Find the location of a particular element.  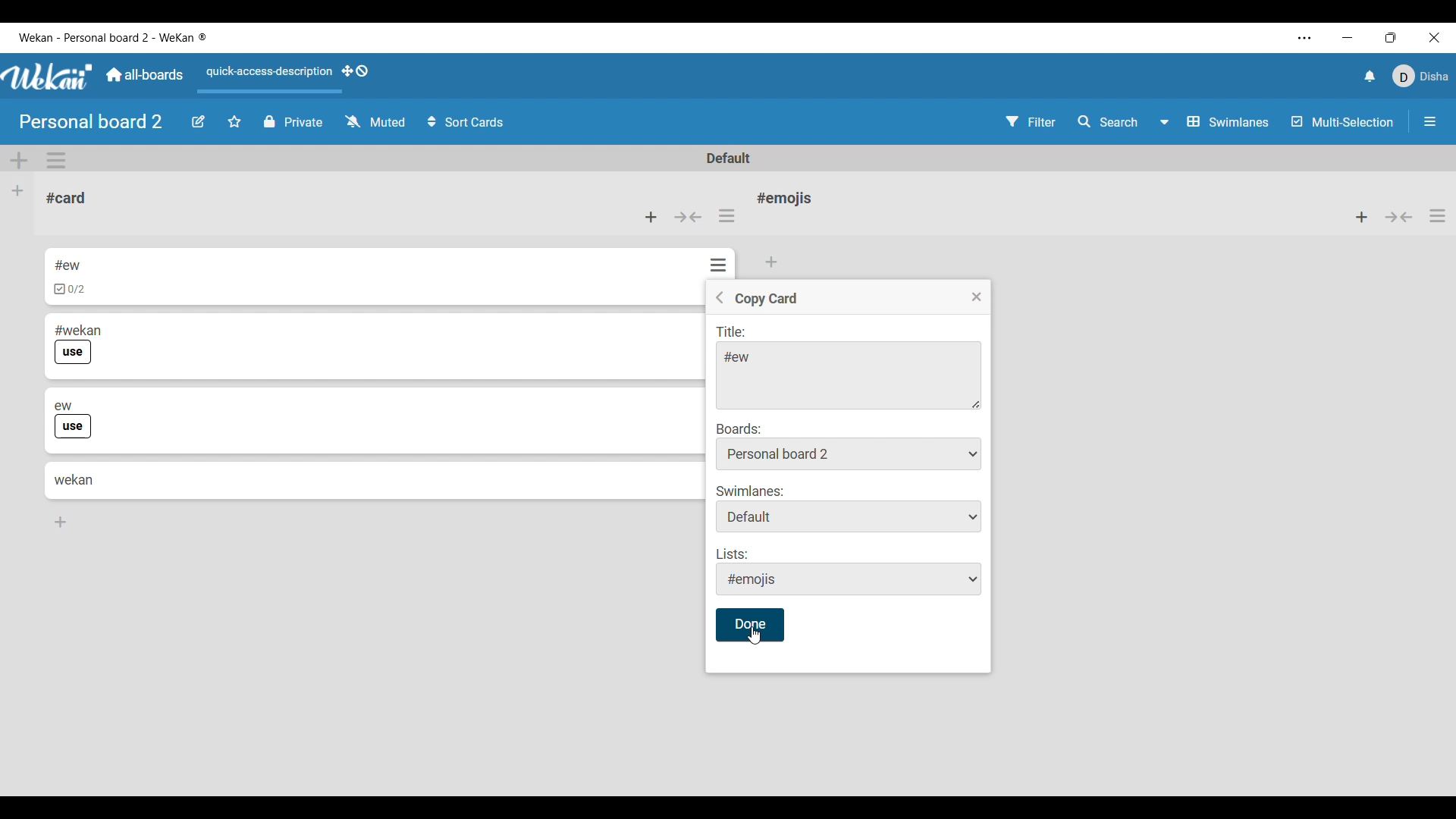

Card 2 is located at coordinates (127, 327).